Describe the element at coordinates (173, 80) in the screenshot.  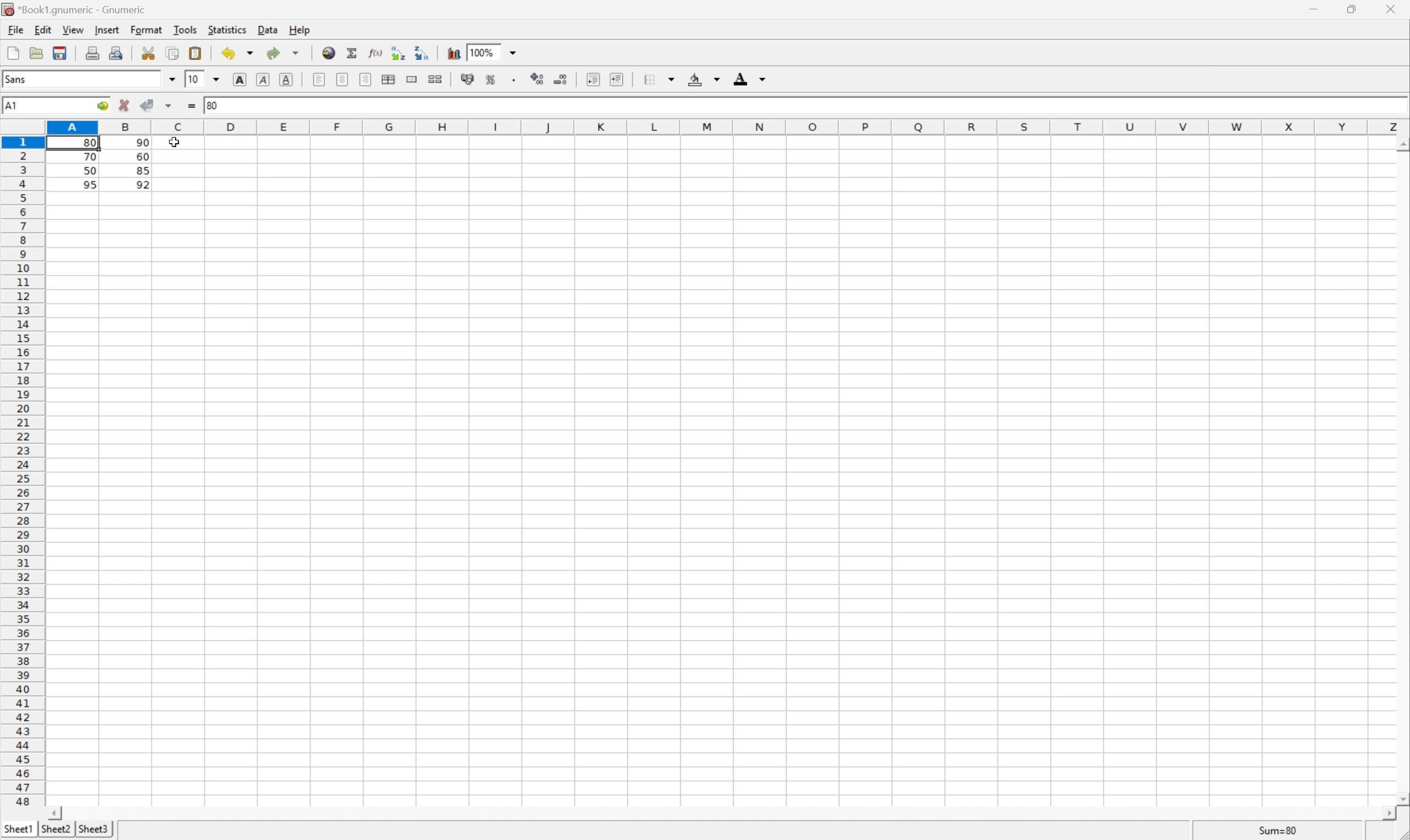
I see `Drop Down` at that location.